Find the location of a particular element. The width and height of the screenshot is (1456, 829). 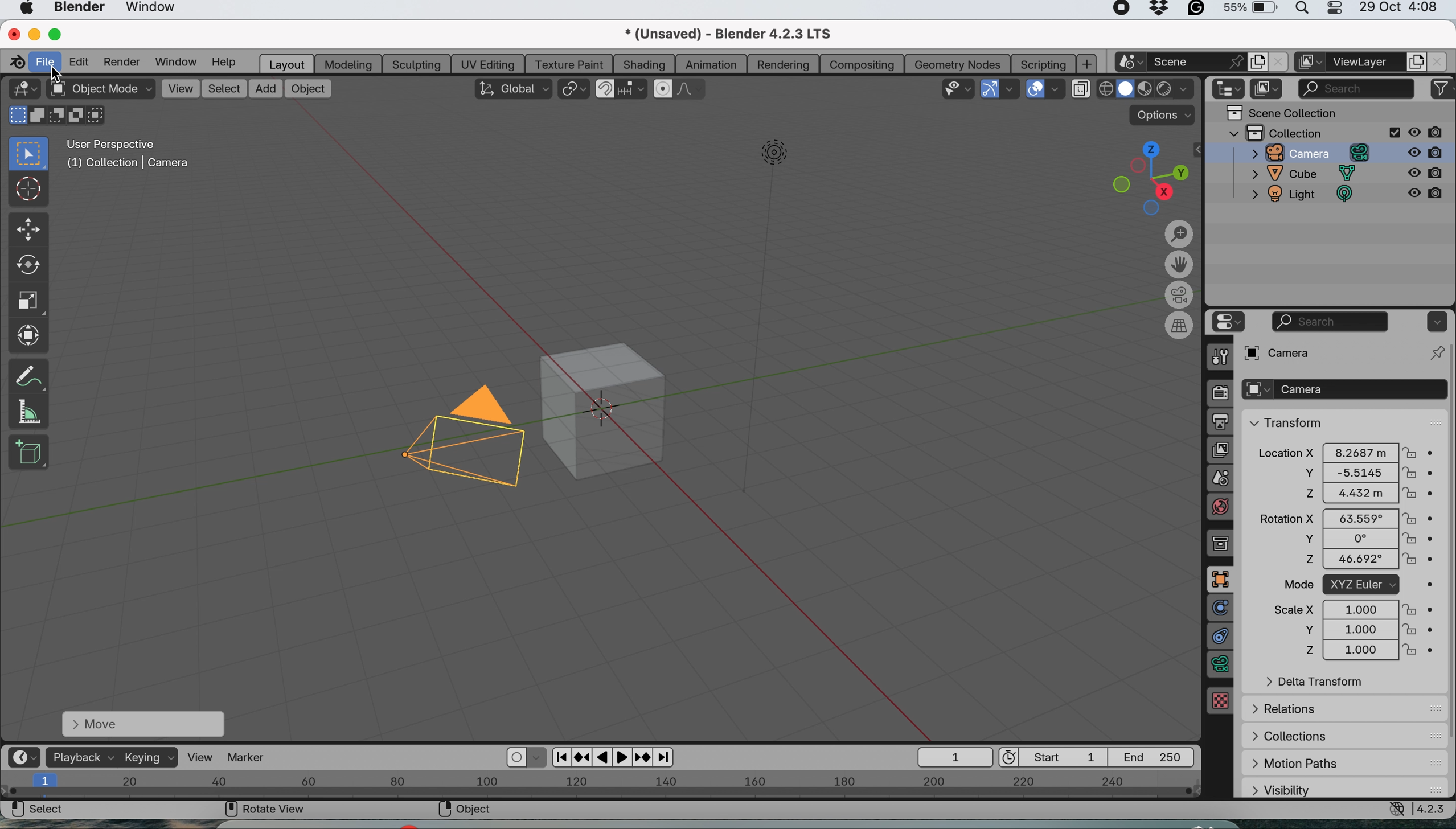

keying is located at coordinates (149, 757).